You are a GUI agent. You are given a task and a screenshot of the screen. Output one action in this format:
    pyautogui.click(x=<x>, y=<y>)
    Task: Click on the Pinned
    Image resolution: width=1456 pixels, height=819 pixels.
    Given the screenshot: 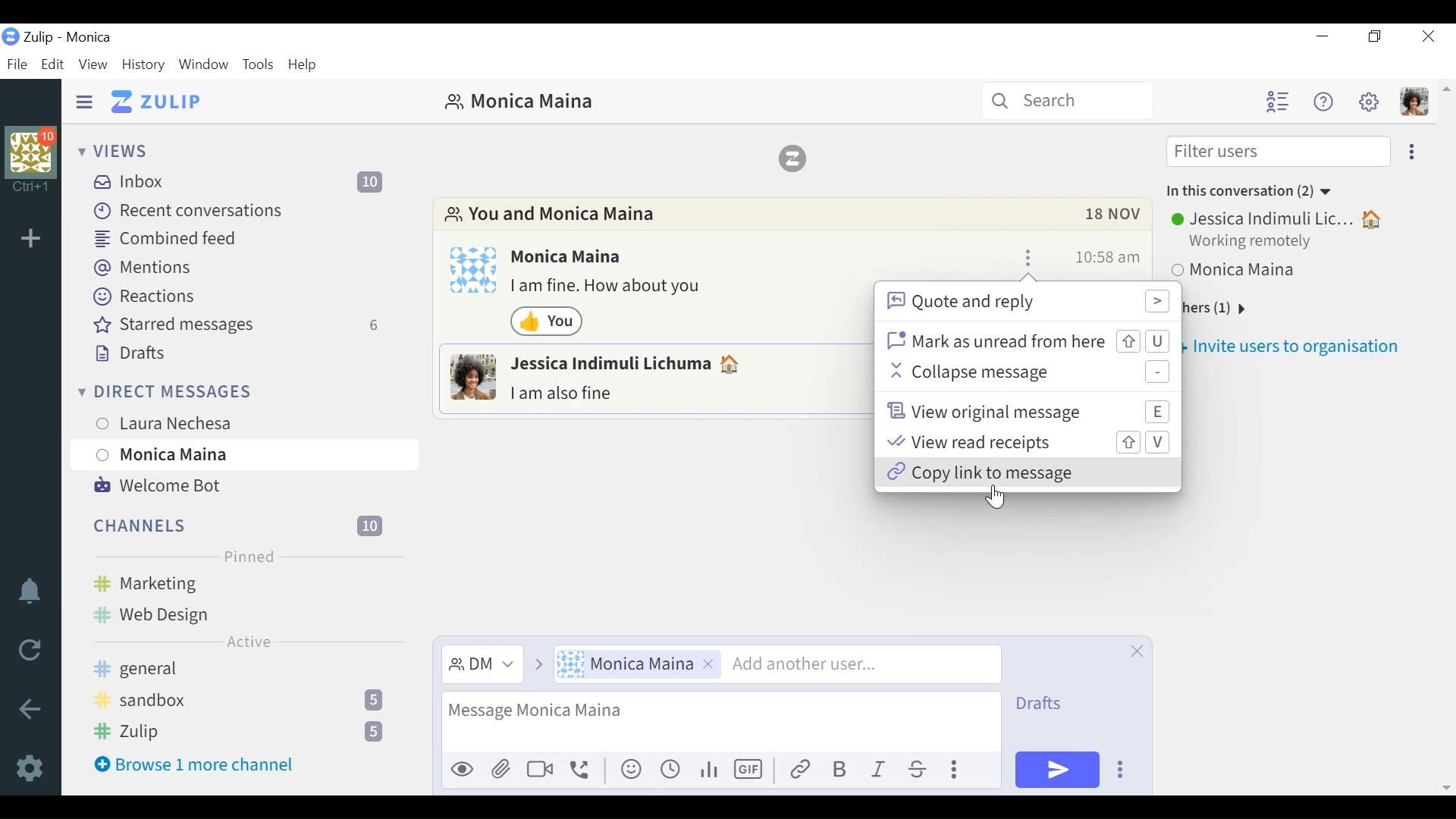 What is the action you would take?
    pyautogui.click(x=245, y=555)
    